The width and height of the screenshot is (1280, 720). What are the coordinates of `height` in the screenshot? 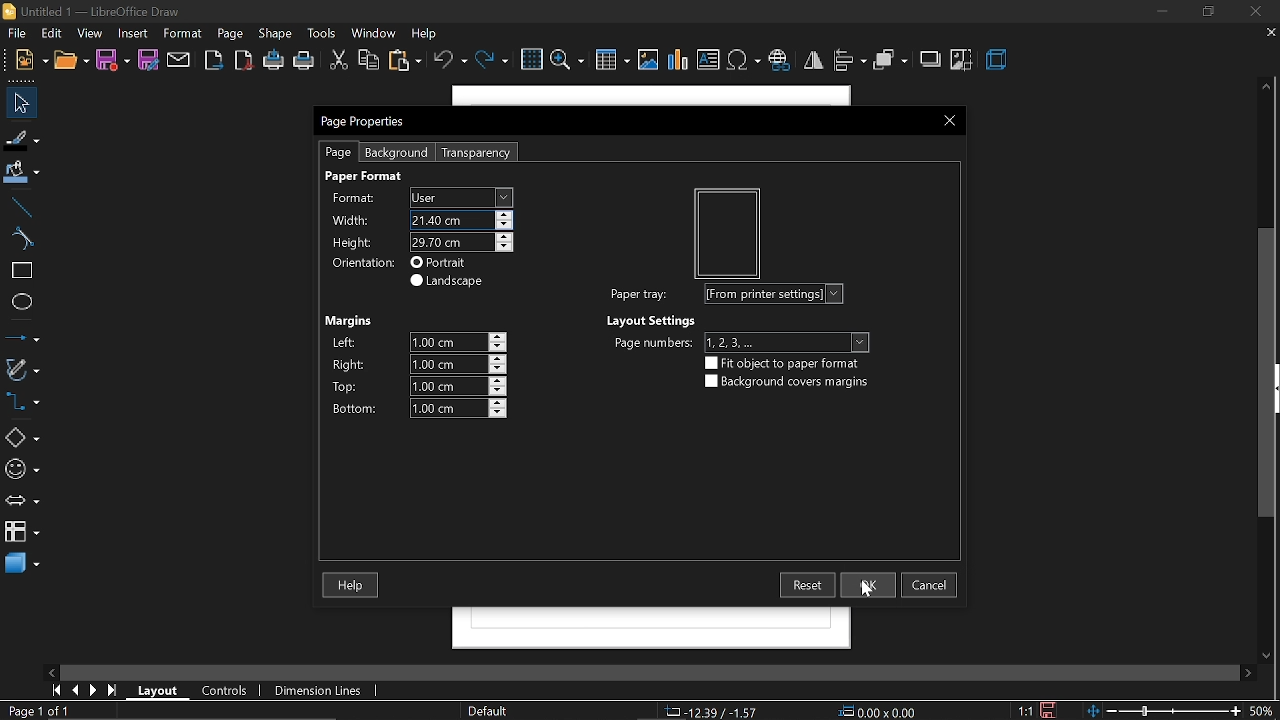 It's located at (352, 241).